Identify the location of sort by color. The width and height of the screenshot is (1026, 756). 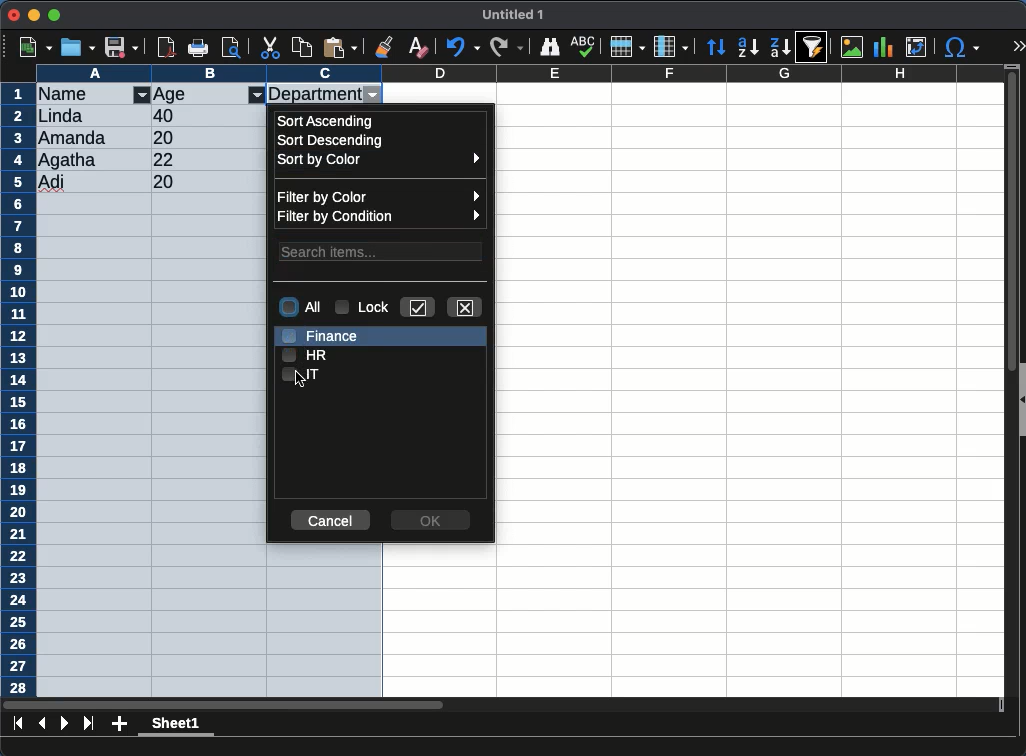
(378, 162).